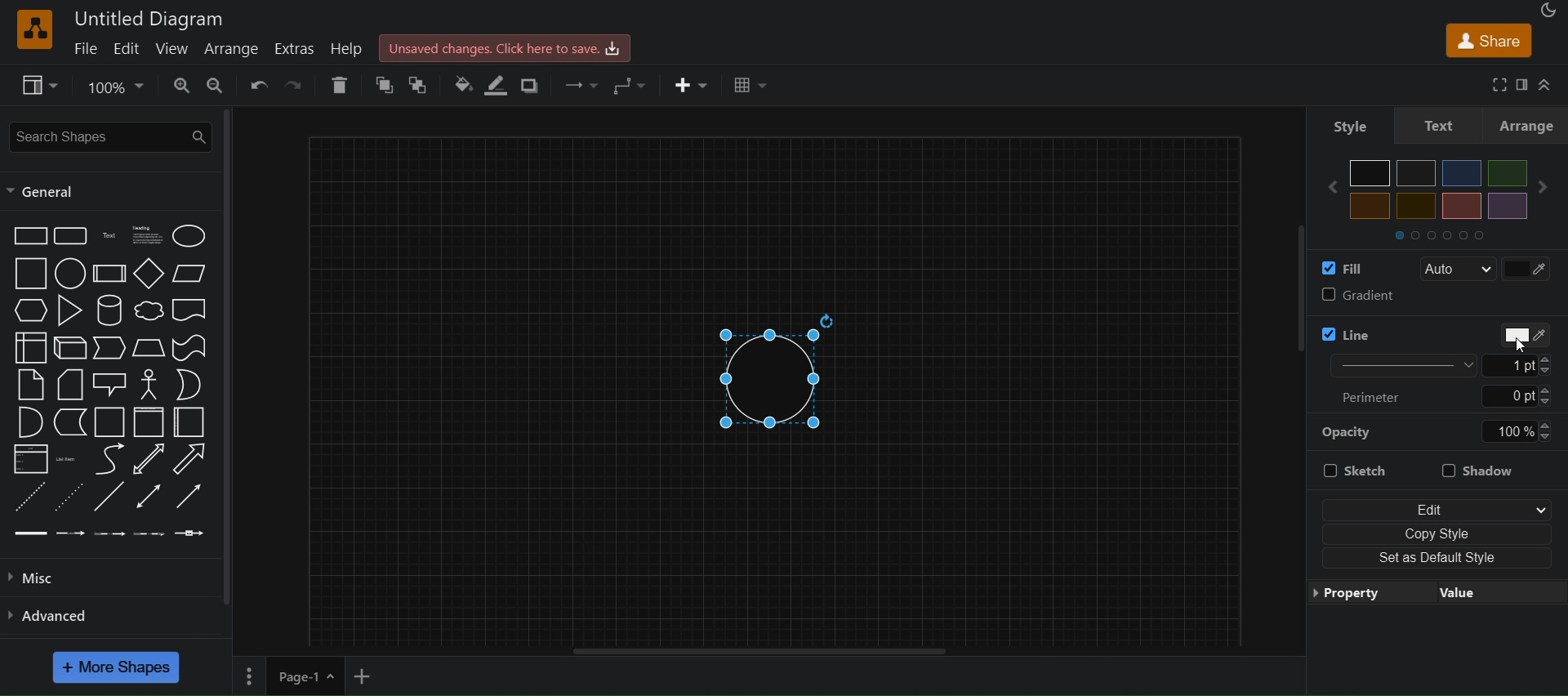 The width and height of the screenshot is (1568, 696). Describe the element at coordinates (70, 386) in the screenshot. I see `card` at that location.